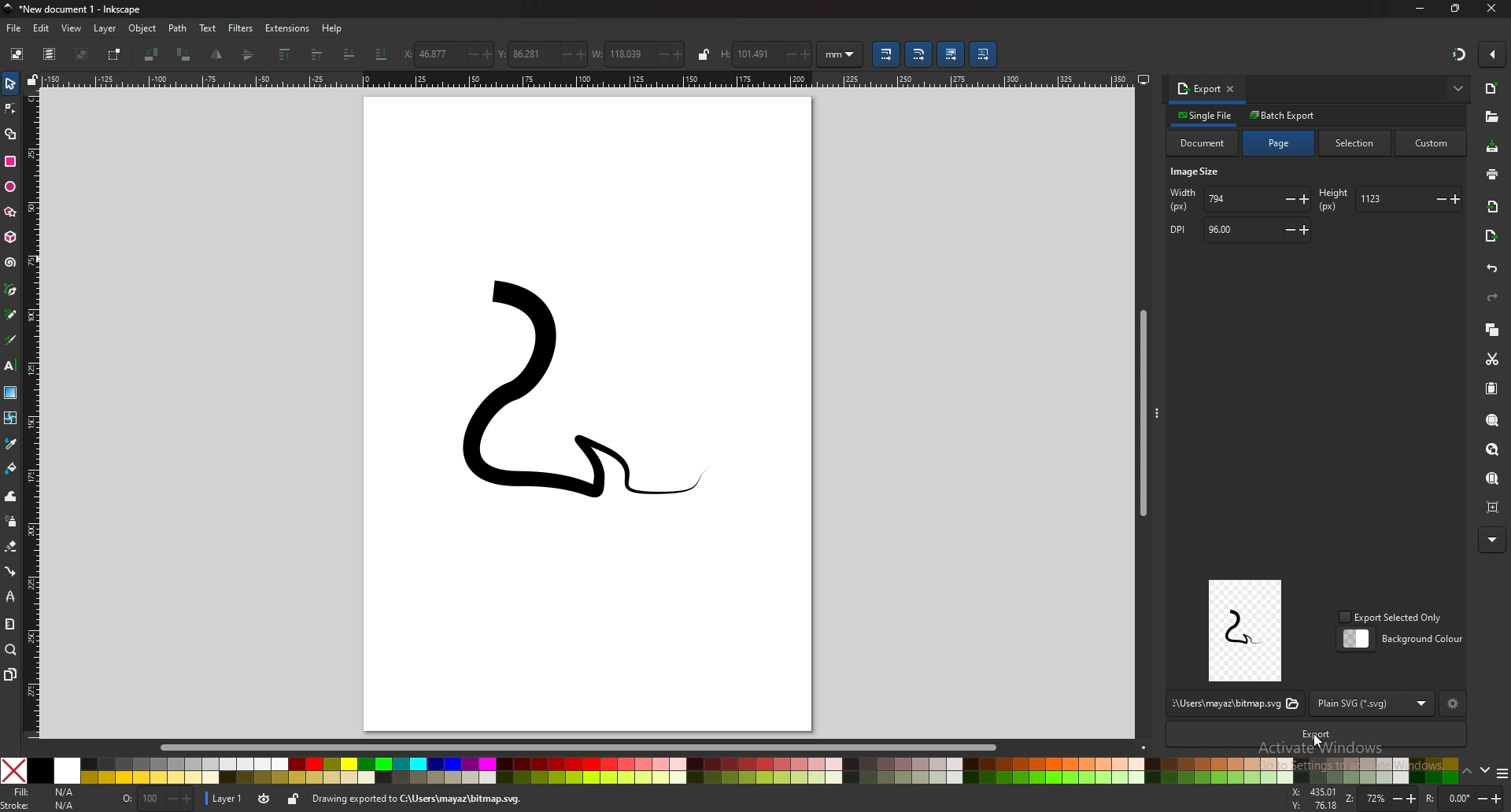 This screenshot has height=812, width=1511. Describe the element at coordinates (10, 238) in the screenshot. I see `3d box` at that location.